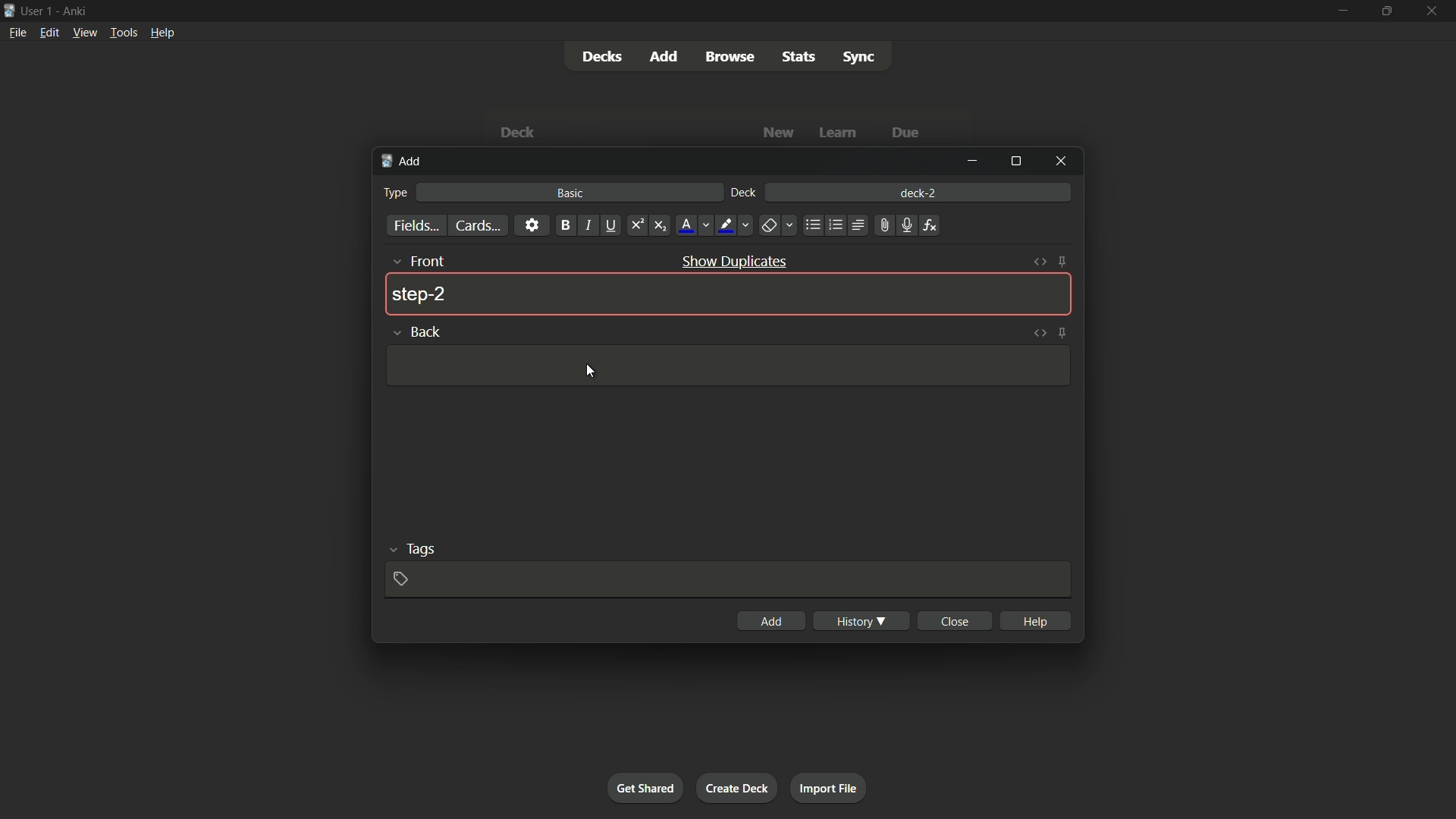 This screenshot has height=819, width=1456. Describe the element at coordinates (417, 331) in the screenshot. I see `back` at that location.